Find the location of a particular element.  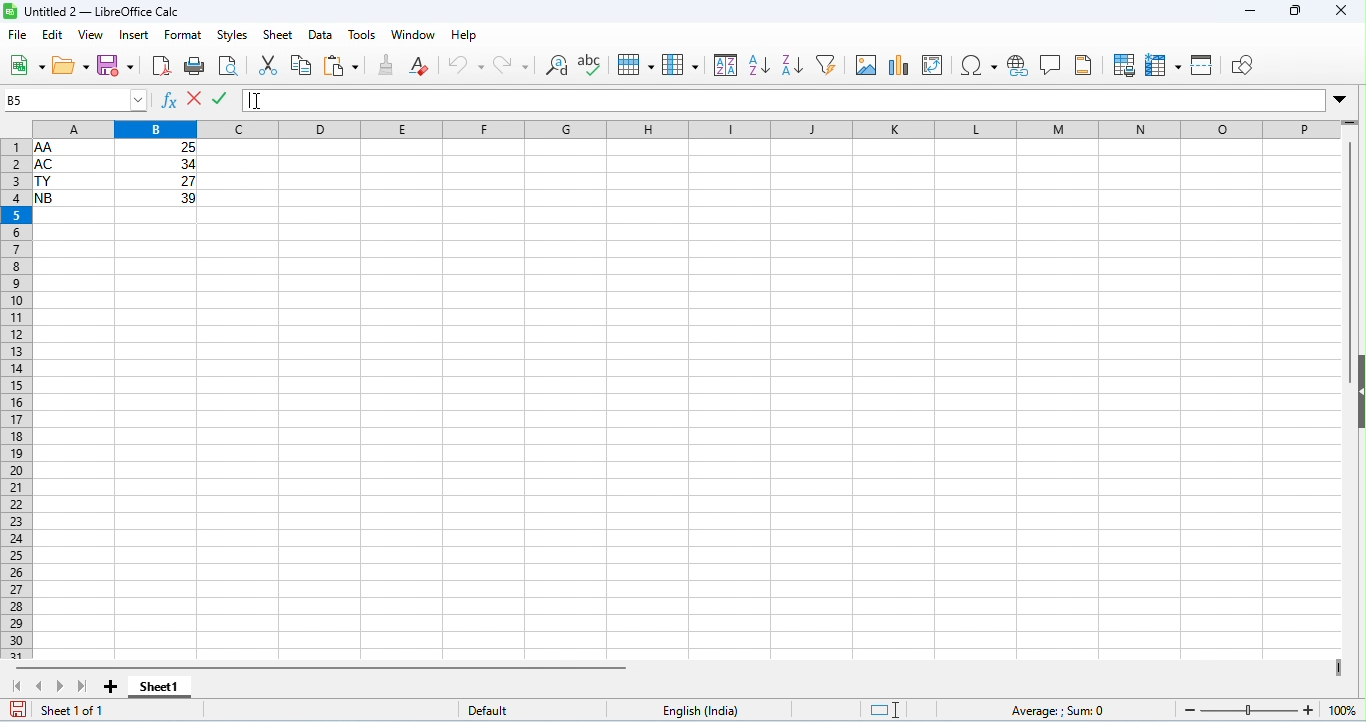

row numbers is located at coordinates (14, 398).